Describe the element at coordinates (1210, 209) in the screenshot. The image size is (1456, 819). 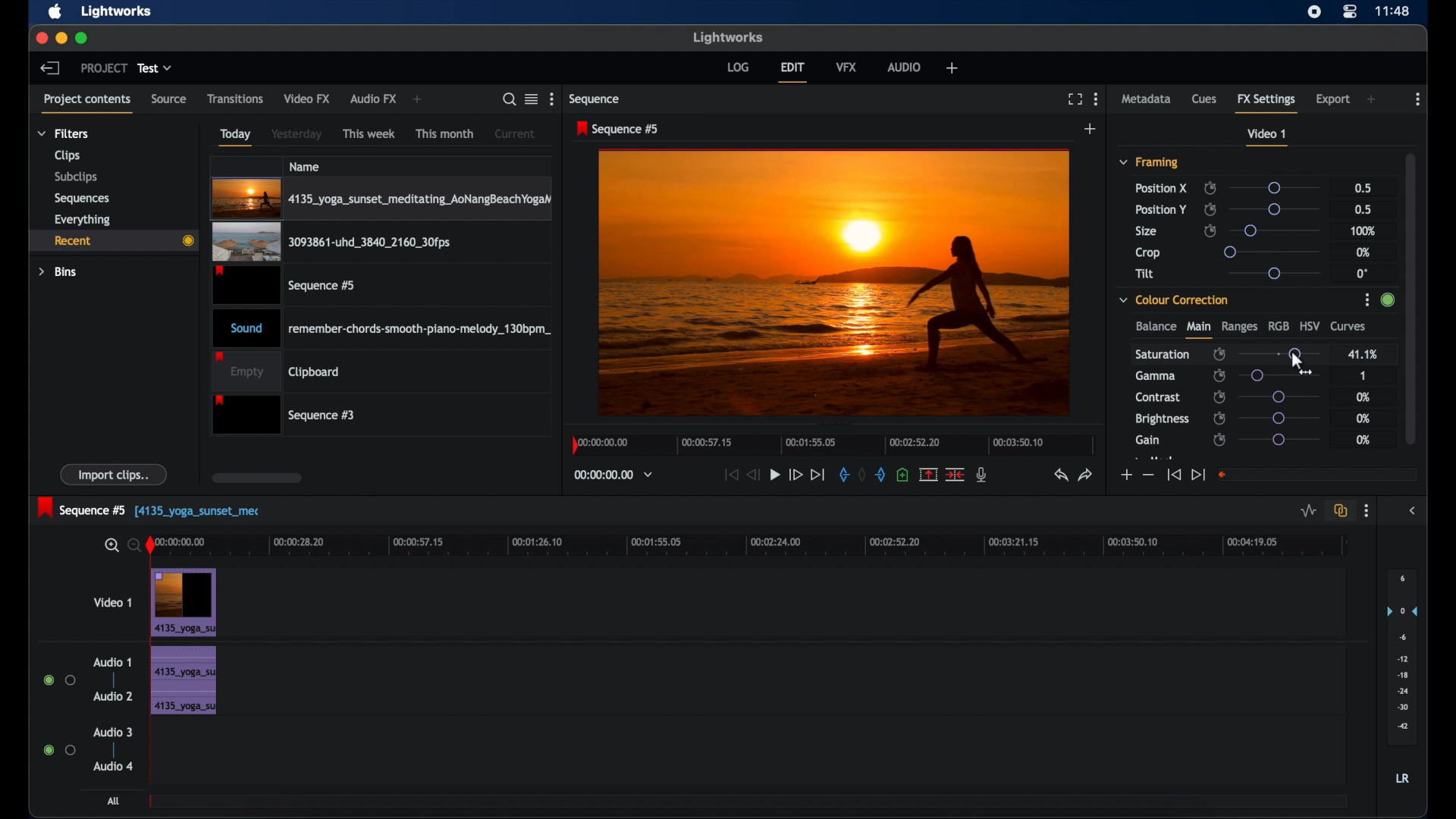
I see `enable/disable keyframes` at that location.